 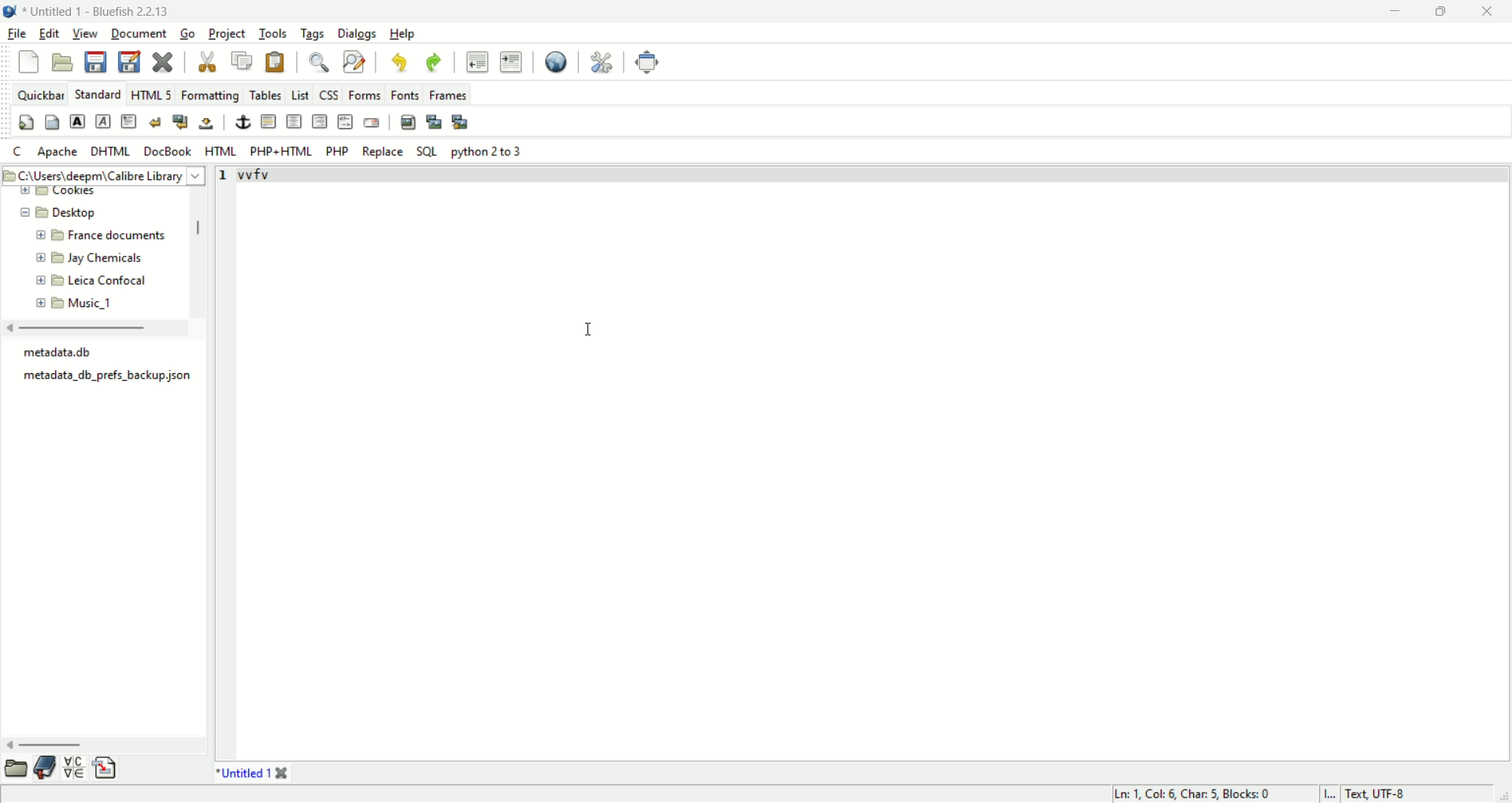 What do you see at coordinates (358, 35) in the screenshot?
I see `dialogs` at bounding box center [358, 35].